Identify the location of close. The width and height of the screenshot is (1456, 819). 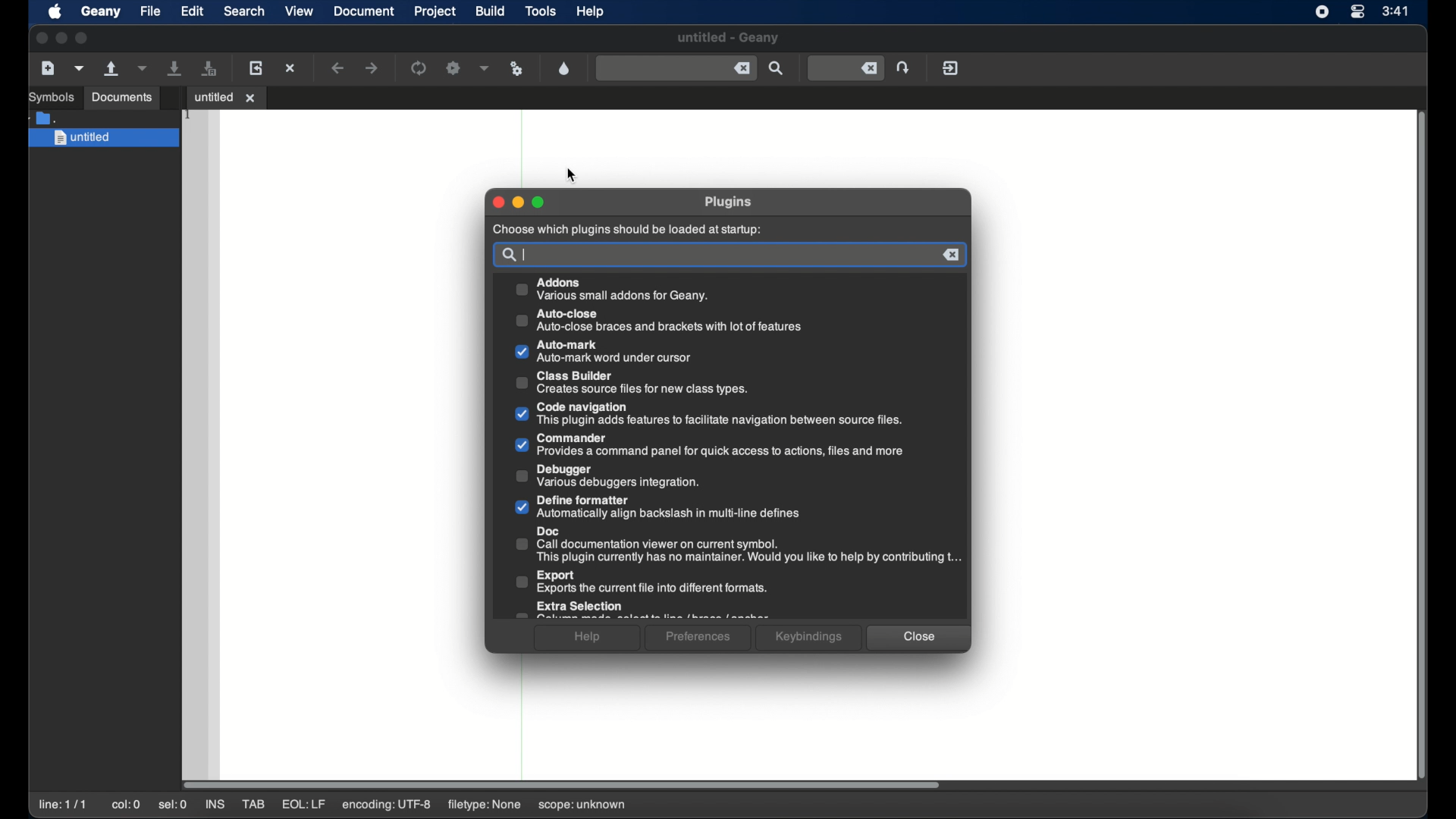
(921, 638).